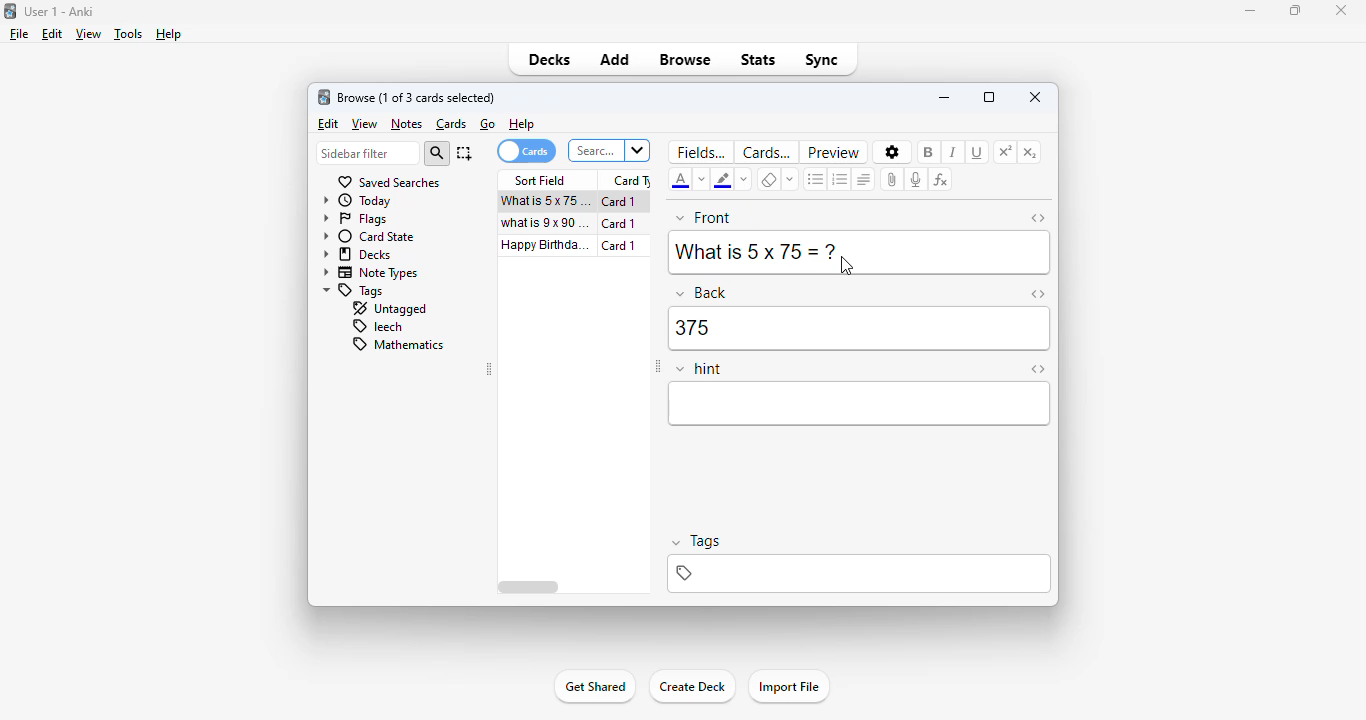 This screenshot has height=720, width=1366. What do you see at coordinates (1035, 98) in the screenshot?
I see `close` at bounding box center [1035, 98].